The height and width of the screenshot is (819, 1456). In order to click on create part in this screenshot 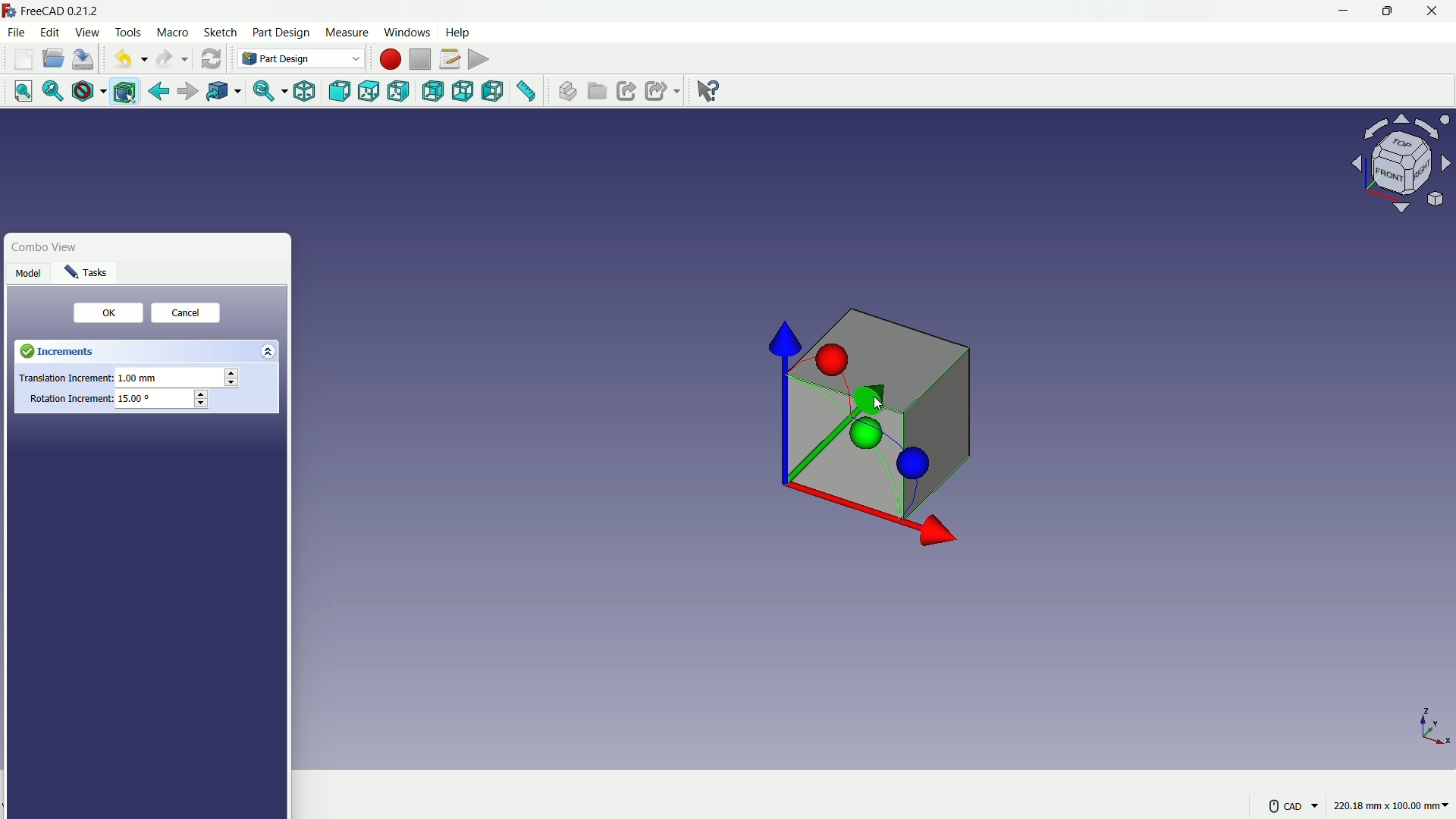, I will do `click(566, 92)`.